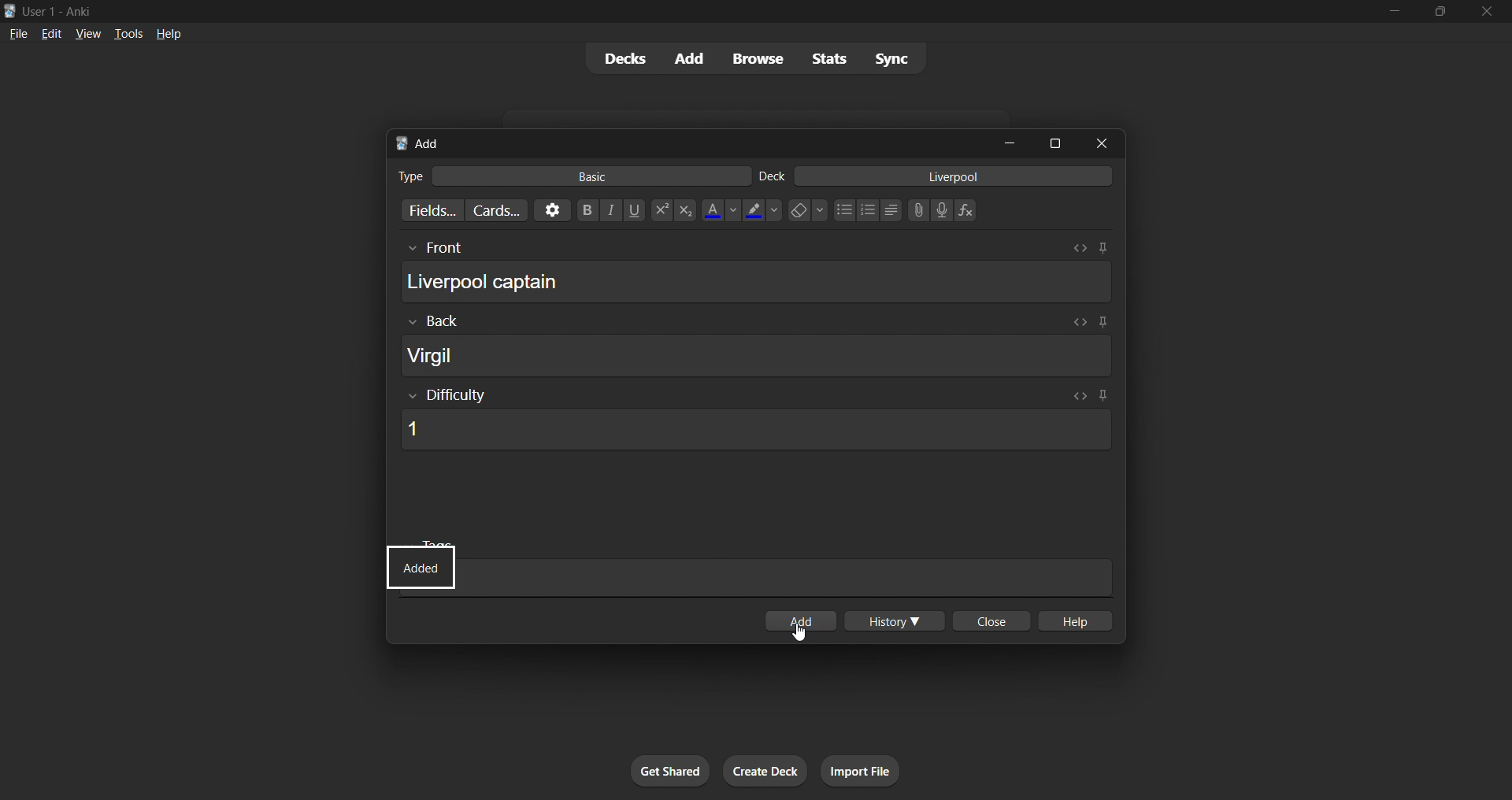 The height and width of the screenshot is (800, 1512). What do you see at coordinates (587, 210) in the screenshot?
I see `Bold` at bounding box center [587, 210].